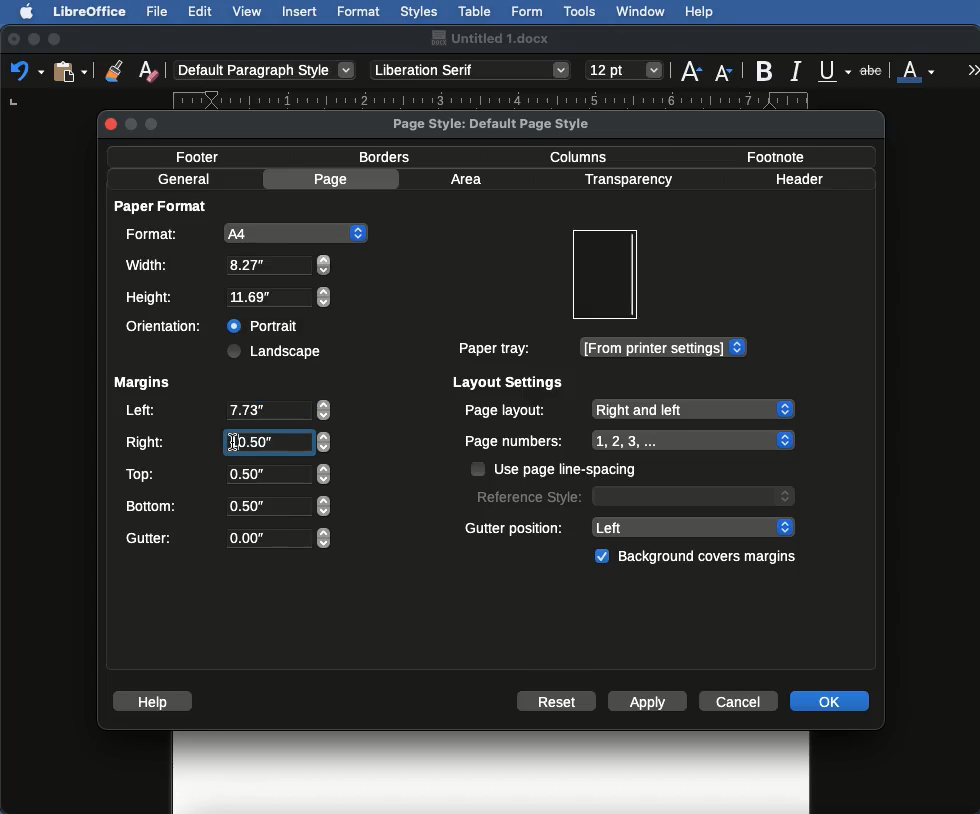 This screenshot has width=980, height=814. Describe the element at coordinates (699, 12) in the screenshot. I see `Help` at that location.